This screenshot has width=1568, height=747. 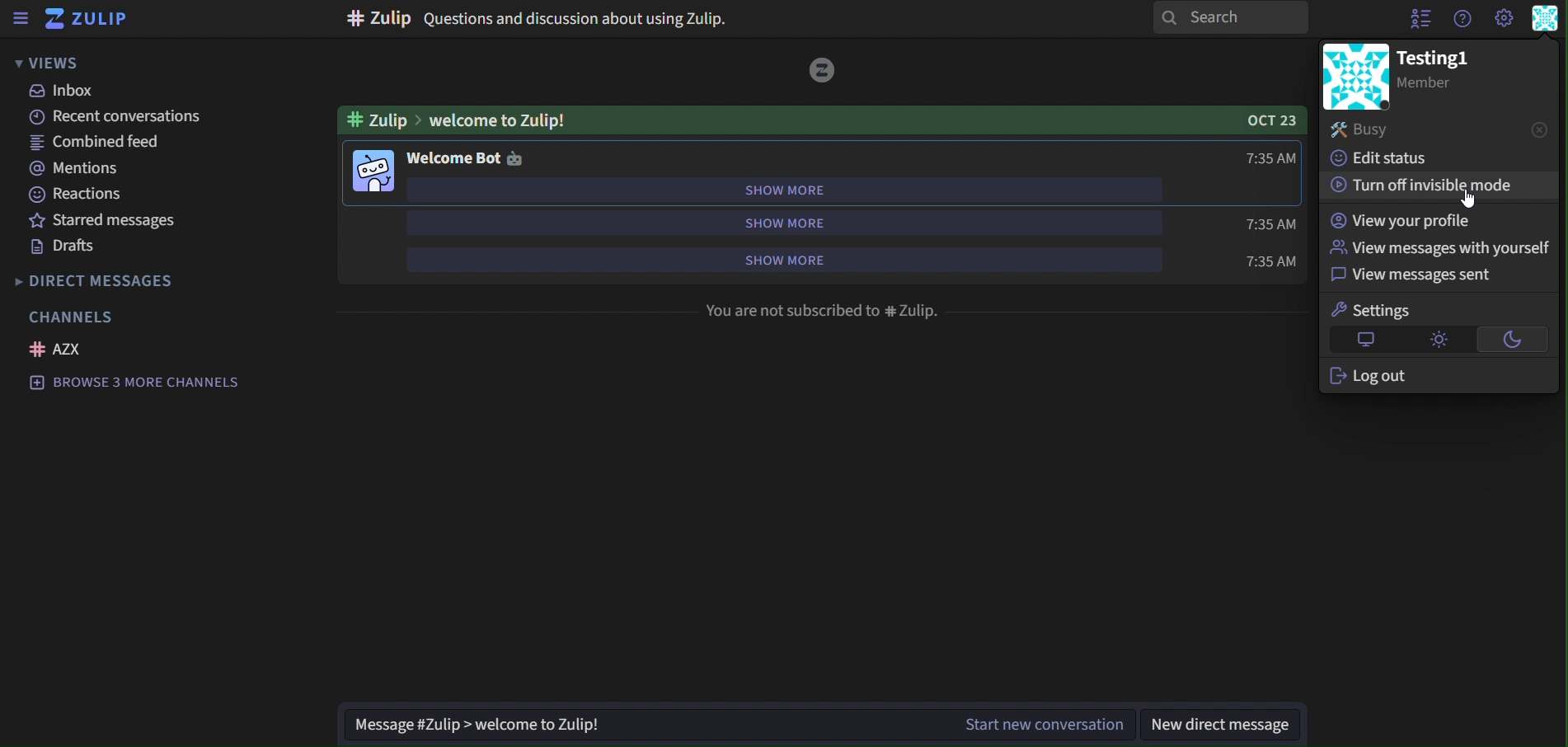 What do you see at coordinates (110, 142) in the screenshot?
I see `combined feed` at bounding box center [110, 142].